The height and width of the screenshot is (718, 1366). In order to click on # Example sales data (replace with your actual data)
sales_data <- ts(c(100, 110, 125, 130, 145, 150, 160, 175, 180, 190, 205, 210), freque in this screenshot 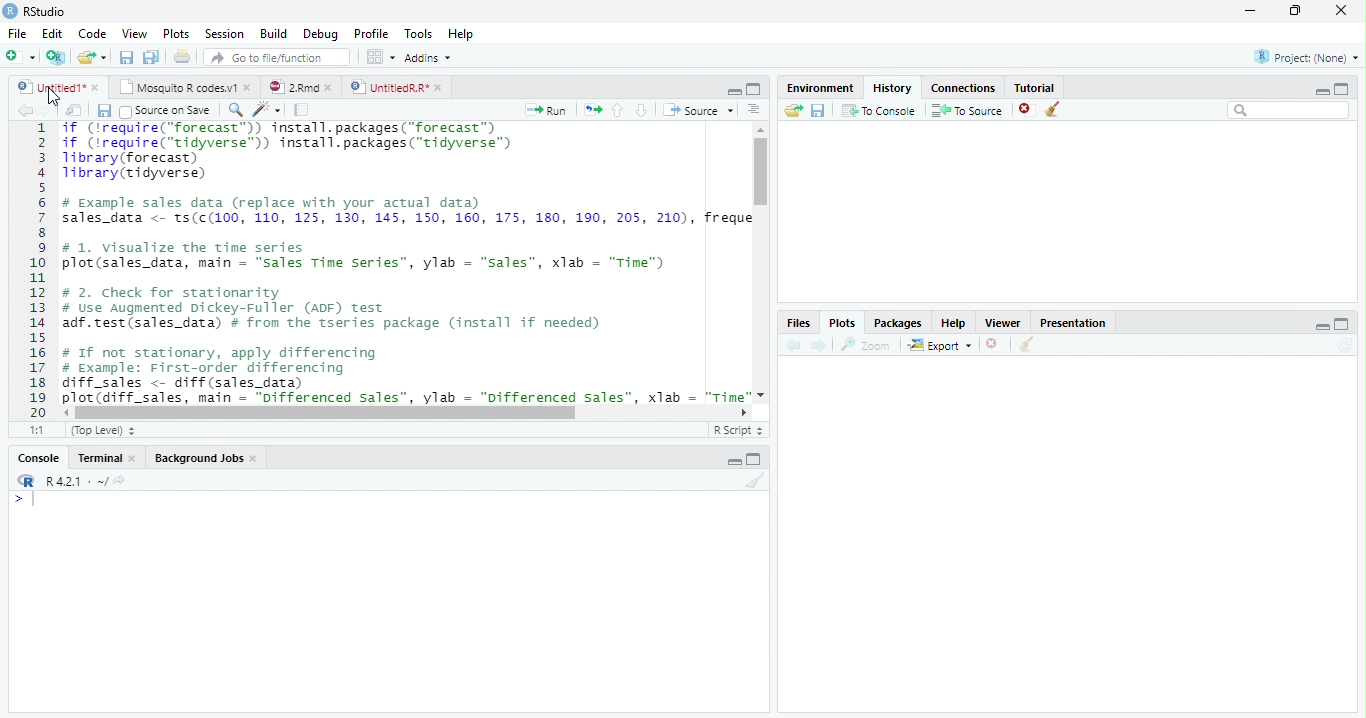, I will do `click(408, 213)`.